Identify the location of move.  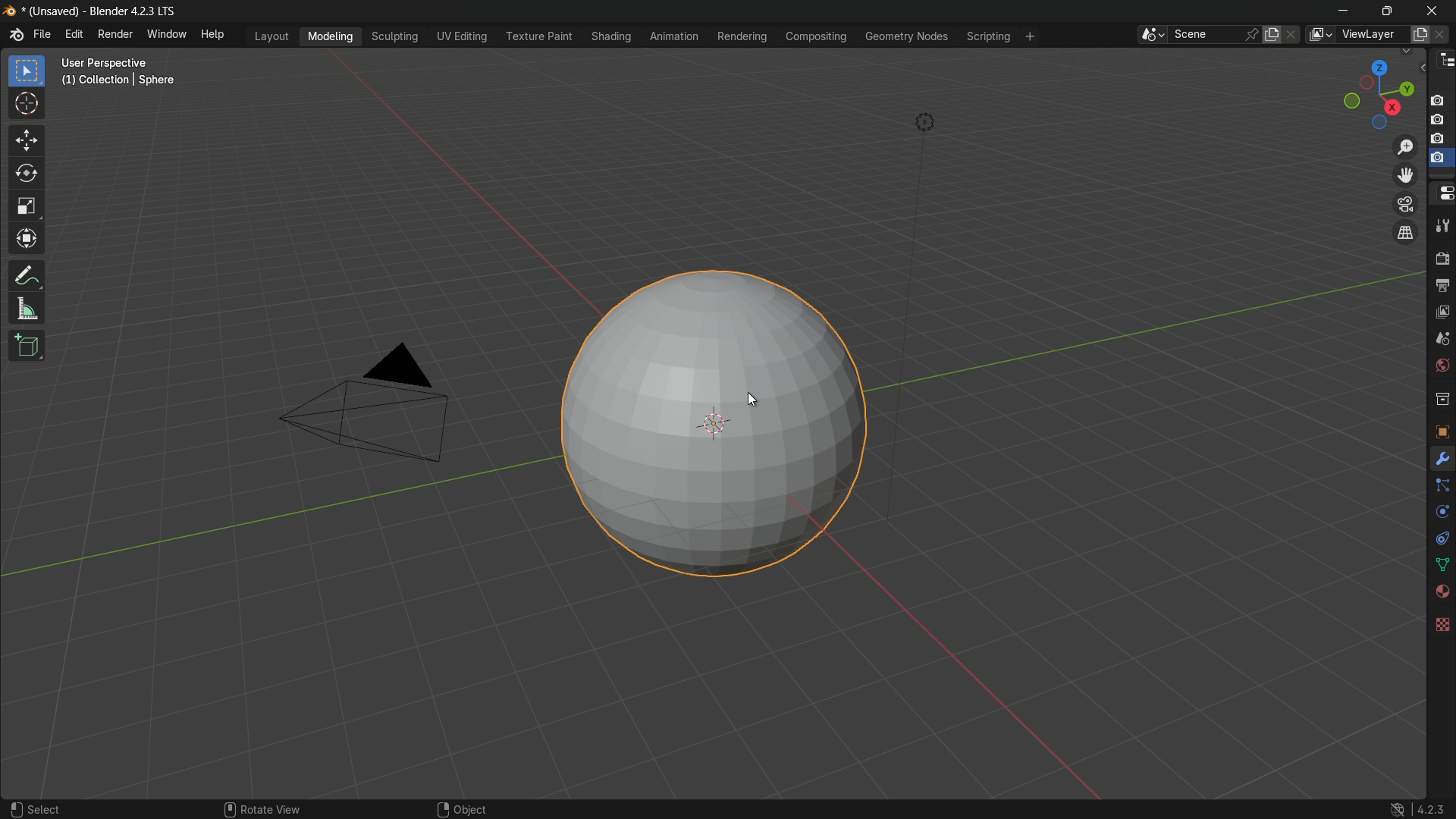
(25, 140).